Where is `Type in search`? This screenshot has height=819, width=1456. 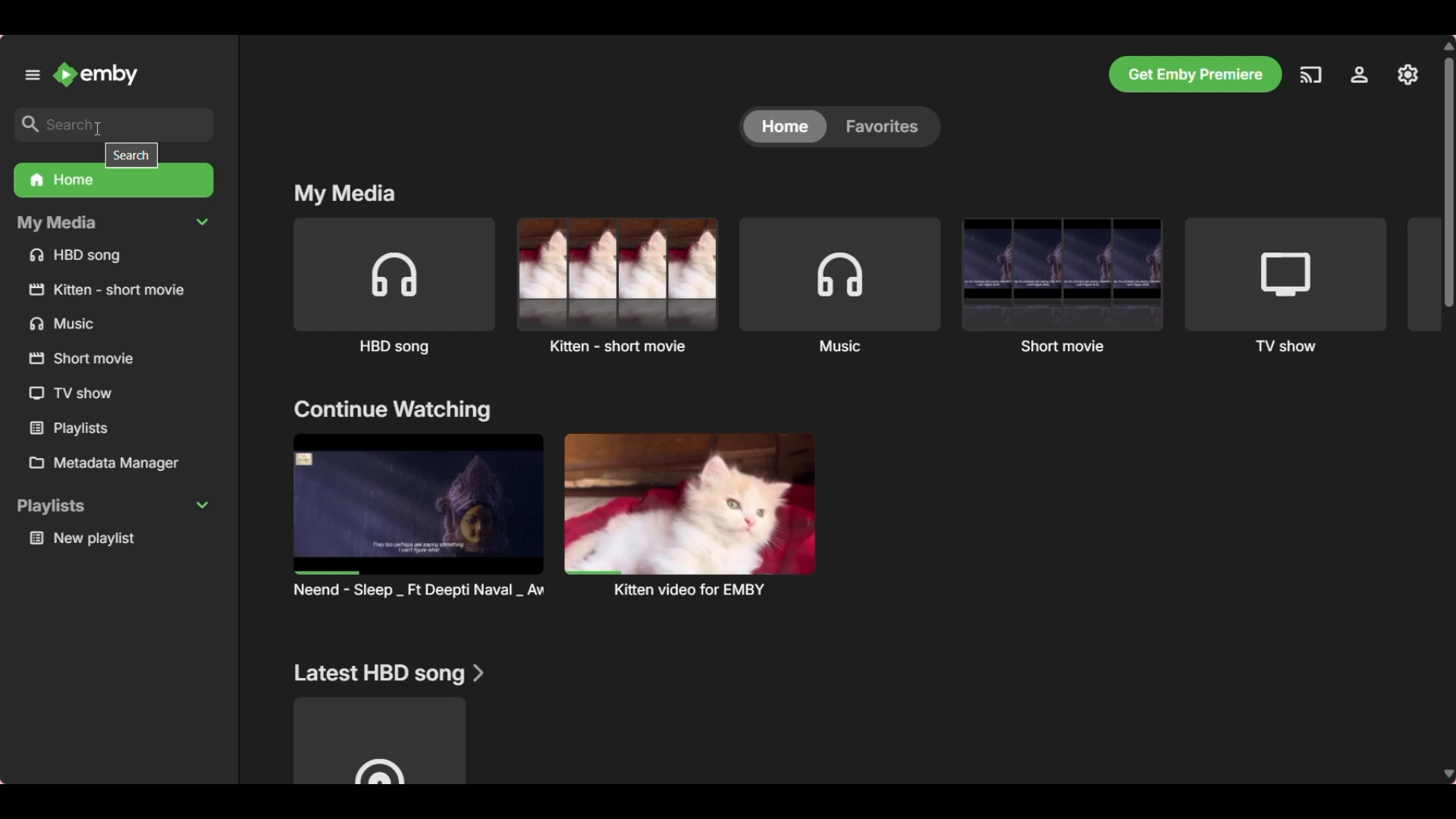
Type in search is located at coordinates (114, 124).